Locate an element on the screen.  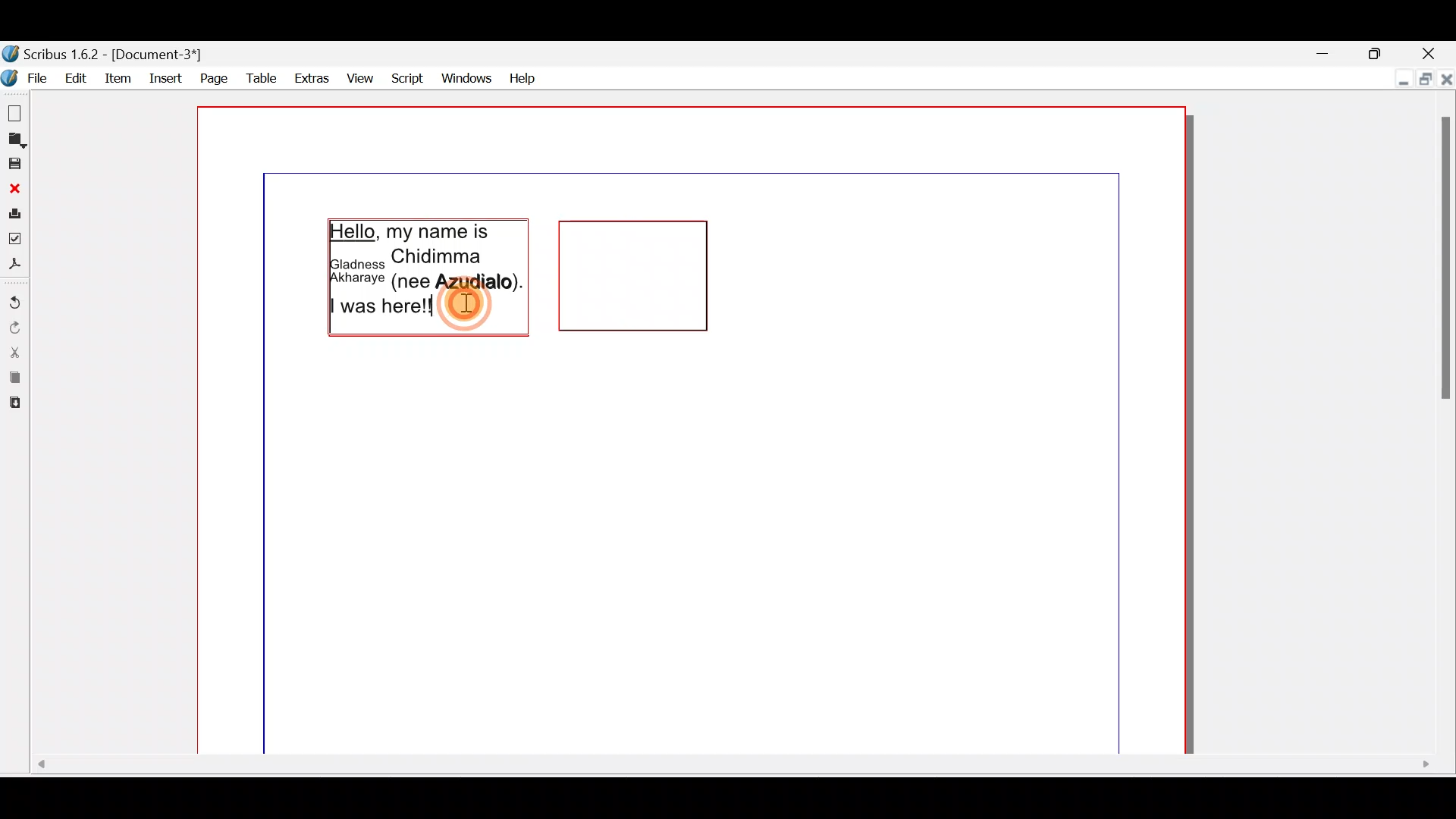
Extras is located at coordinates (309, 77).